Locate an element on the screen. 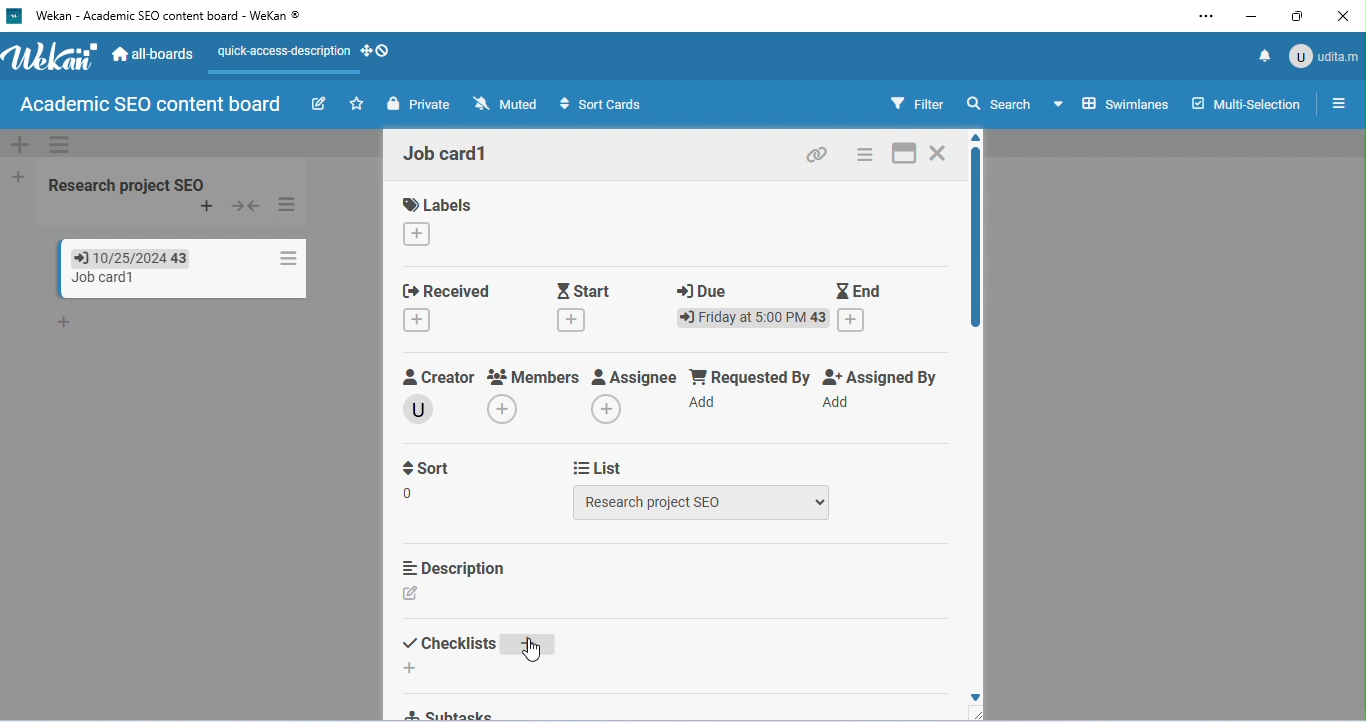  add swimlane is located at coordinates (17, 145).